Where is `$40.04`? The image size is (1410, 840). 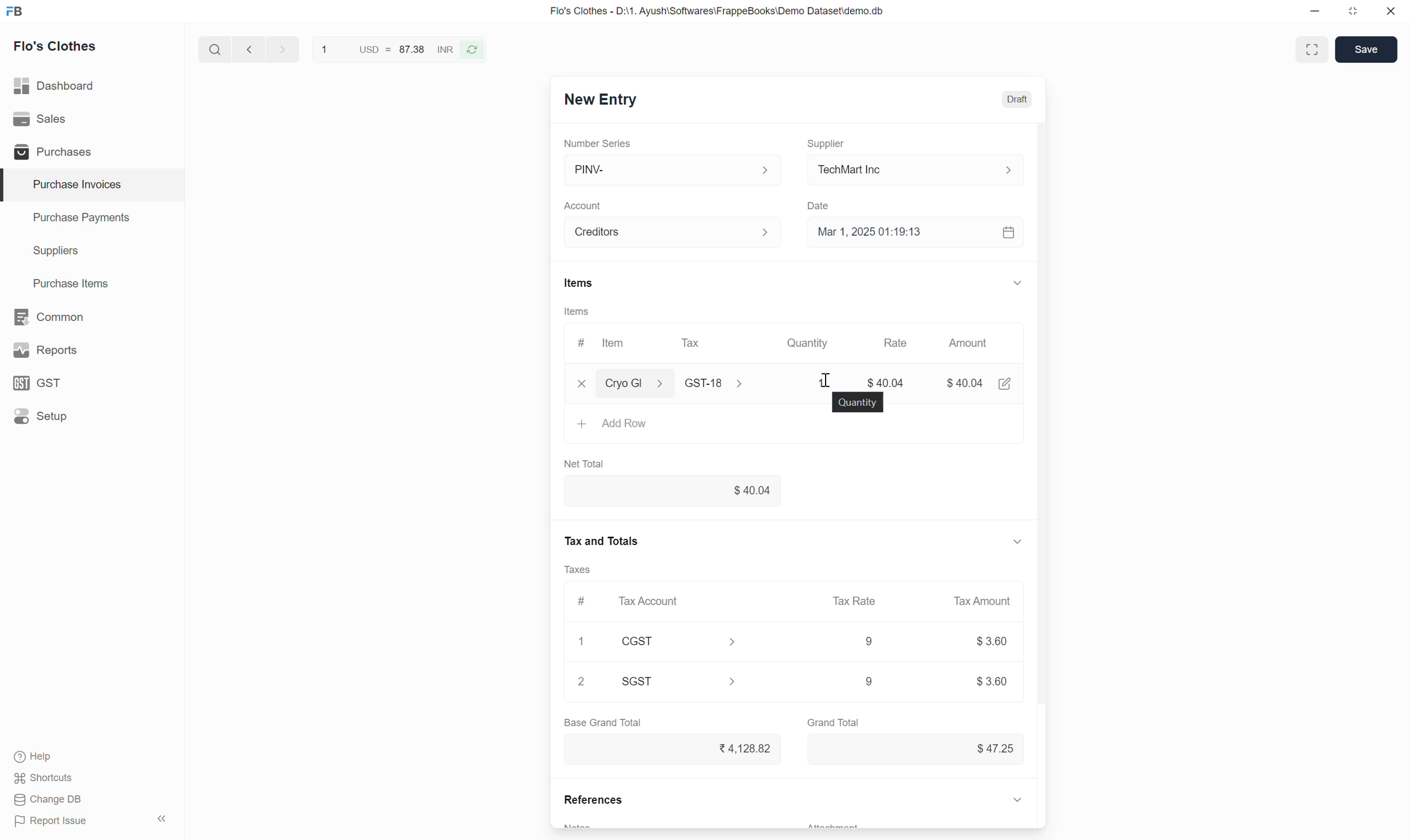 $40.04 is located at coordinates (890, 383).